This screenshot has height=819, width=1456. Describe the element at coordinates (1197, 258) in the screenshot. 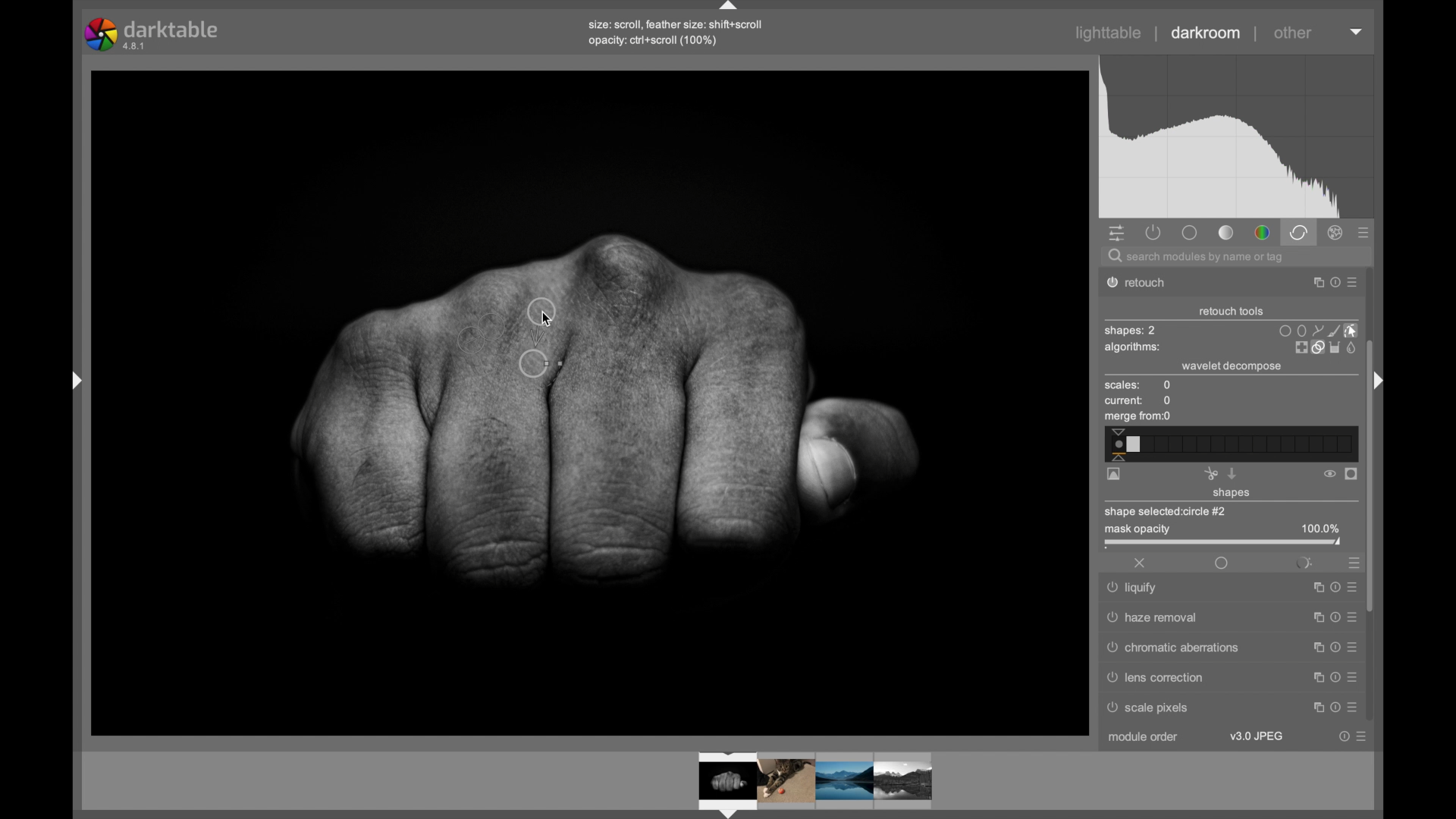

I see `search modules by name or tag` at that location.